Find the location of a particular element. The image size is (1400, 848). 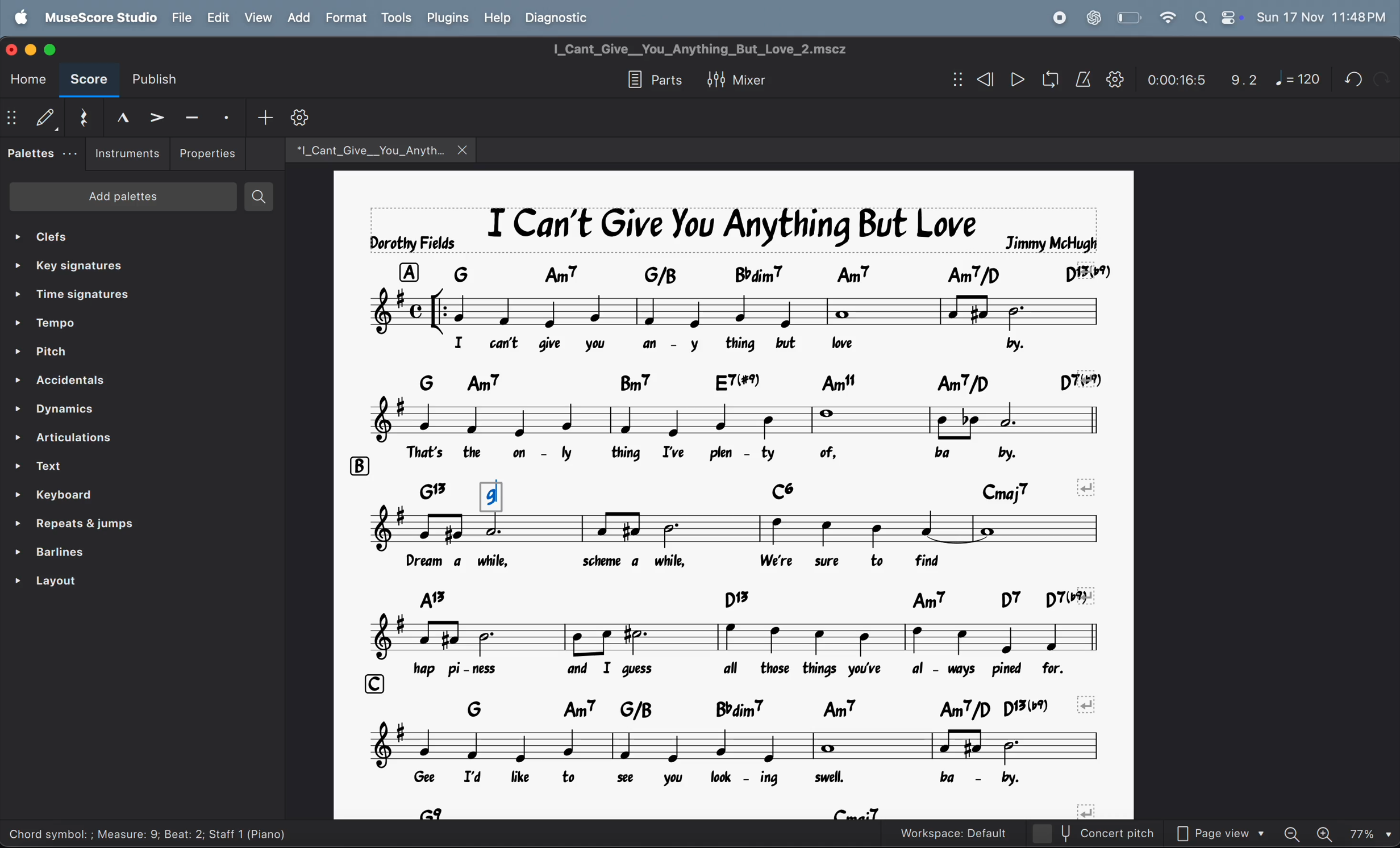

instruments is located at coordinates (128, 154).